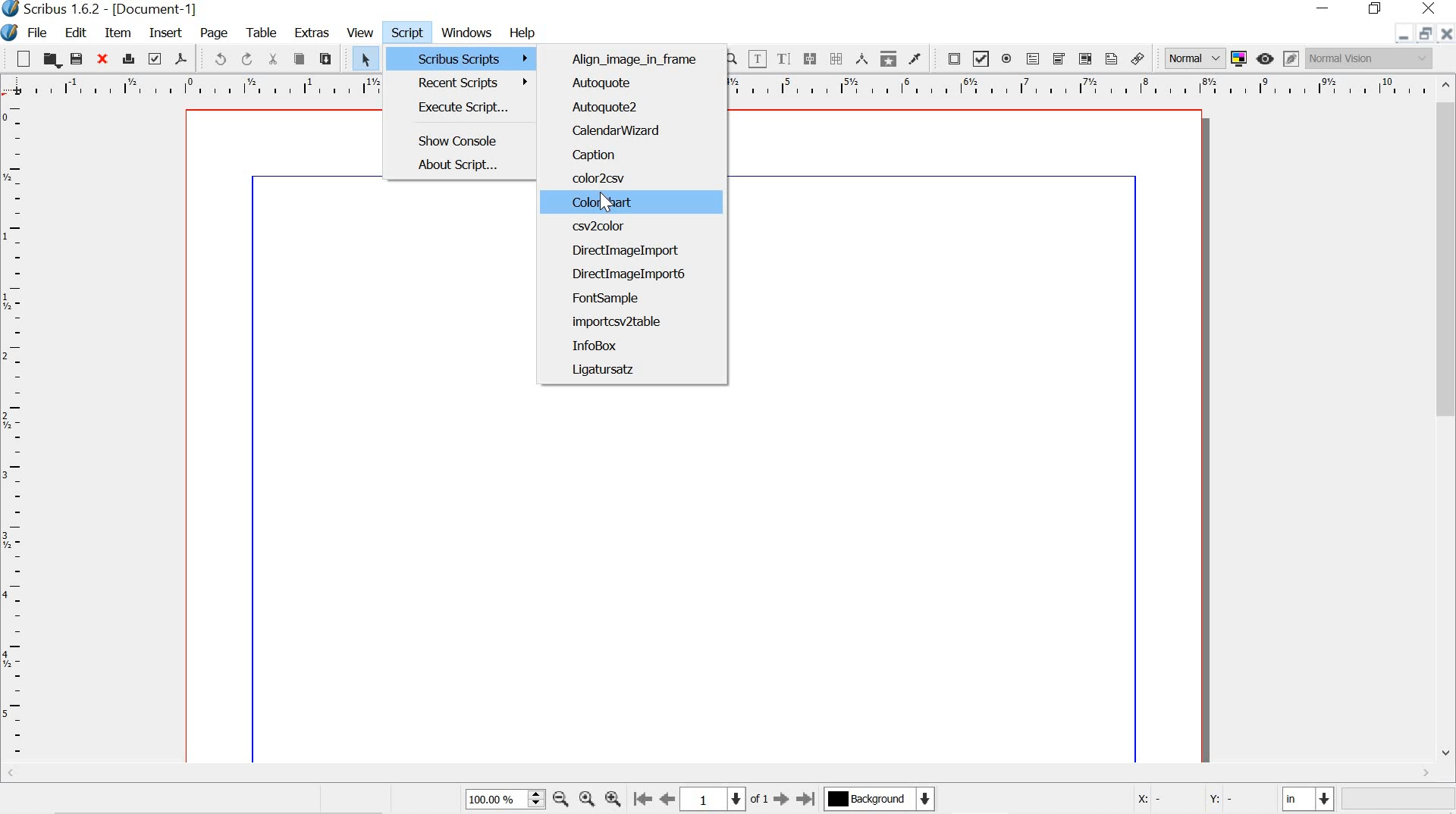 Image resolution: width=1456 pixels, height=814 pixels. What do you see at coordinates (561, 801) in the screenshot?
I see `zoom out` at bounding box center [561, 801].